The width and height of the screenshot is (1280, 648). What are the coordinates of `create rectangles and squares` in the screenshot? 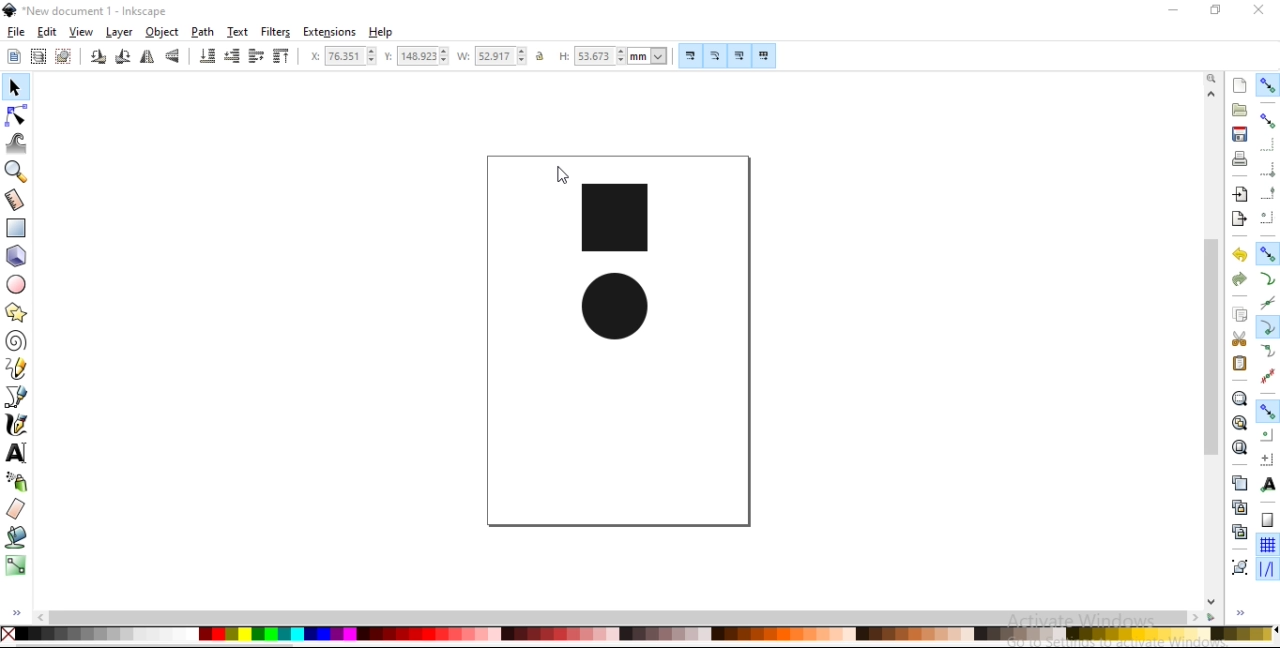 It's located at (16, 228).